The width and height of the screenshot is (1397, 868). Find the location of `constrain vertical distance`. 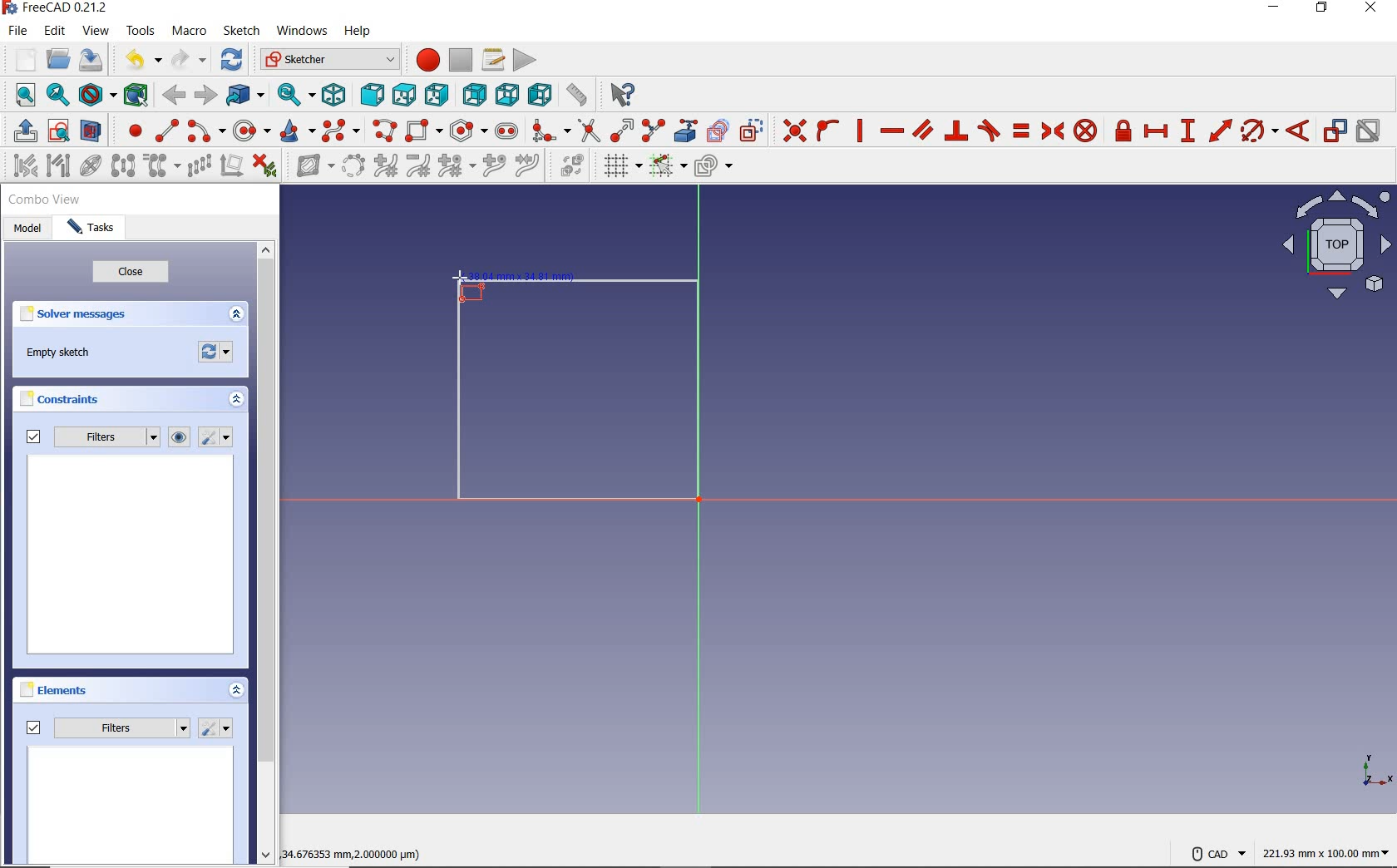

constrain vertical distance is located at coordinates (1188, 131).